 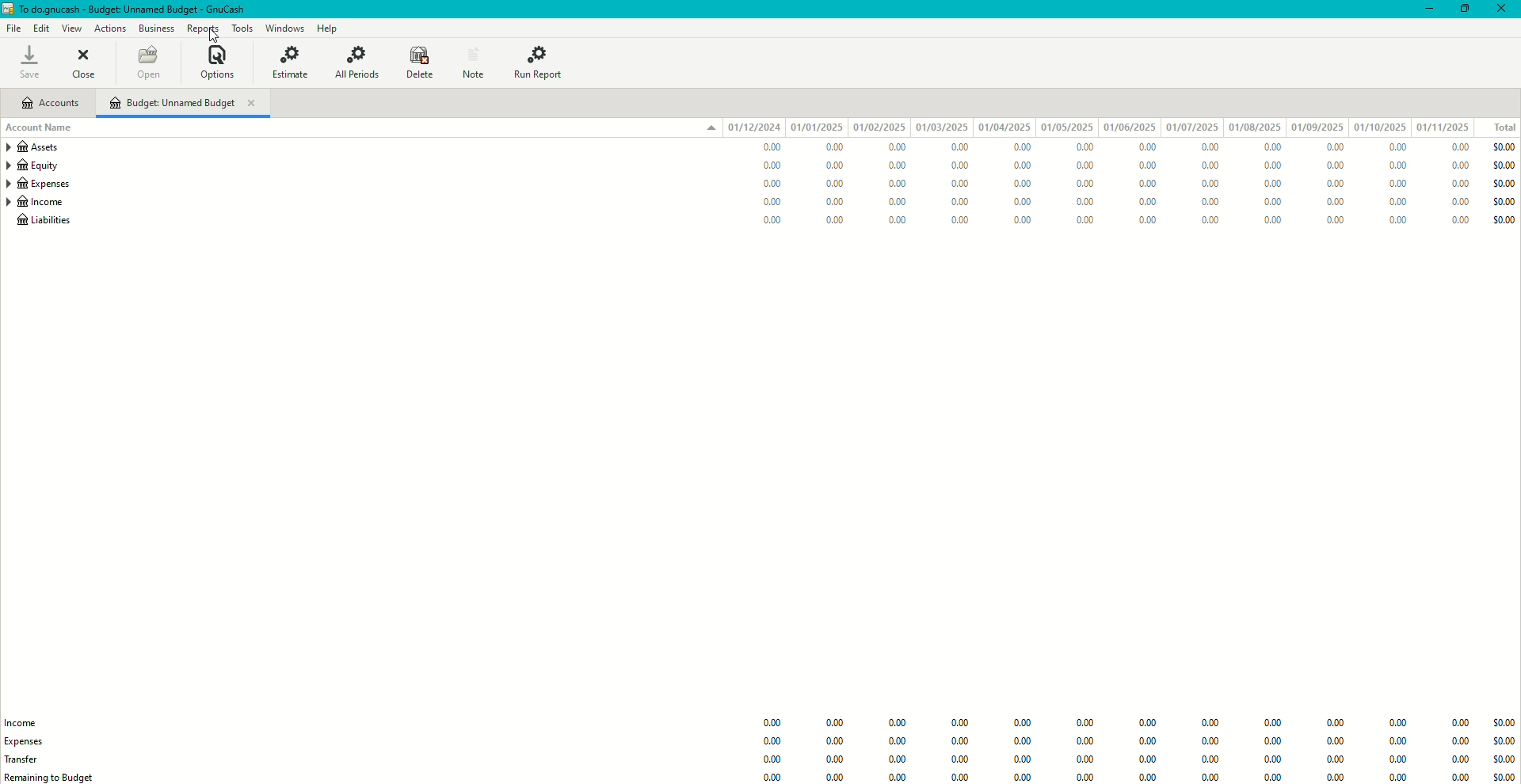 What do you see at coordinates (1458, 722) in the screenshot?
I see `0.00` at bounding box center [1458, 722].